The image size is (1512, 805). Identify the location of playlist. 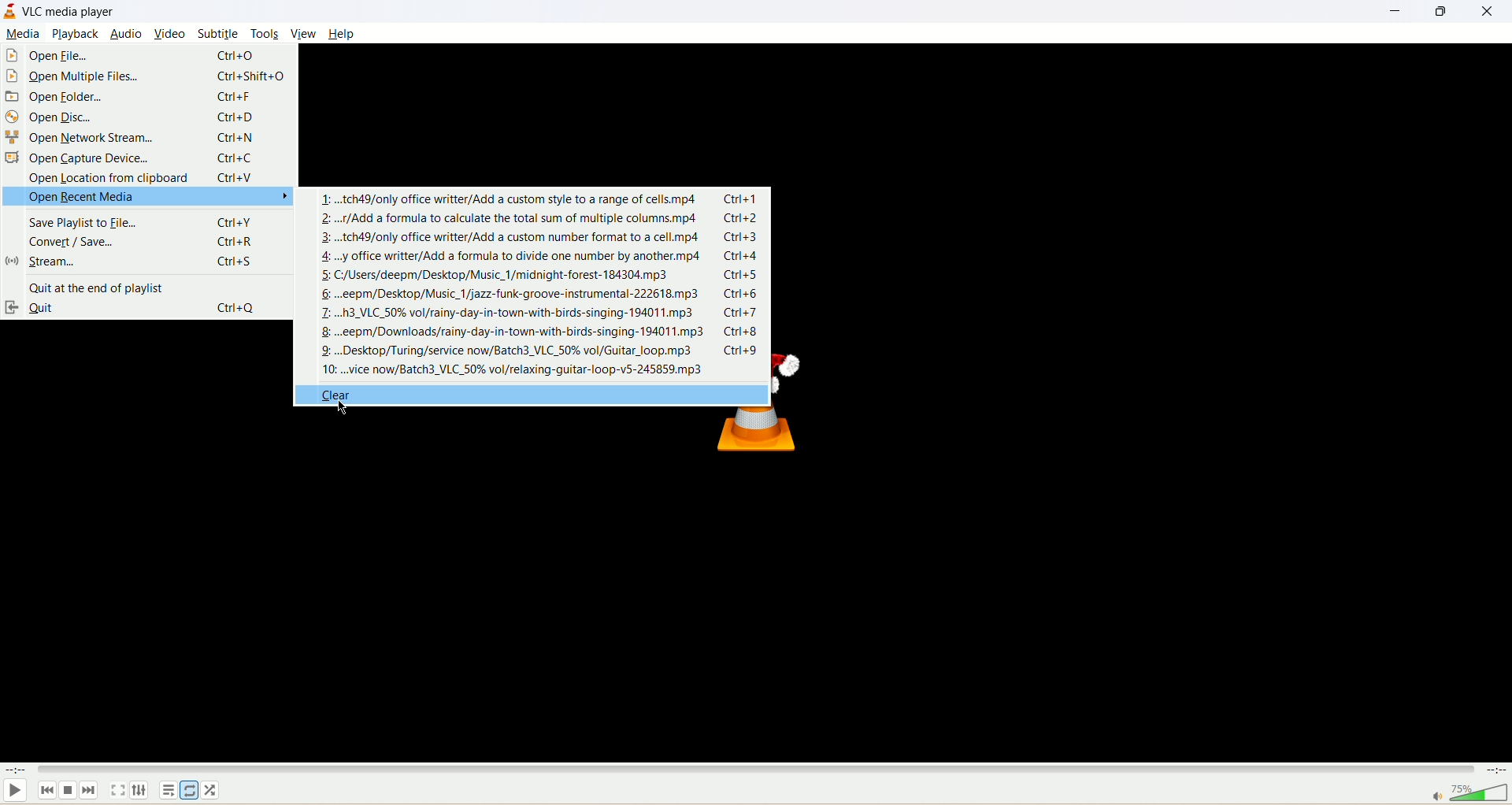
(169, 792).